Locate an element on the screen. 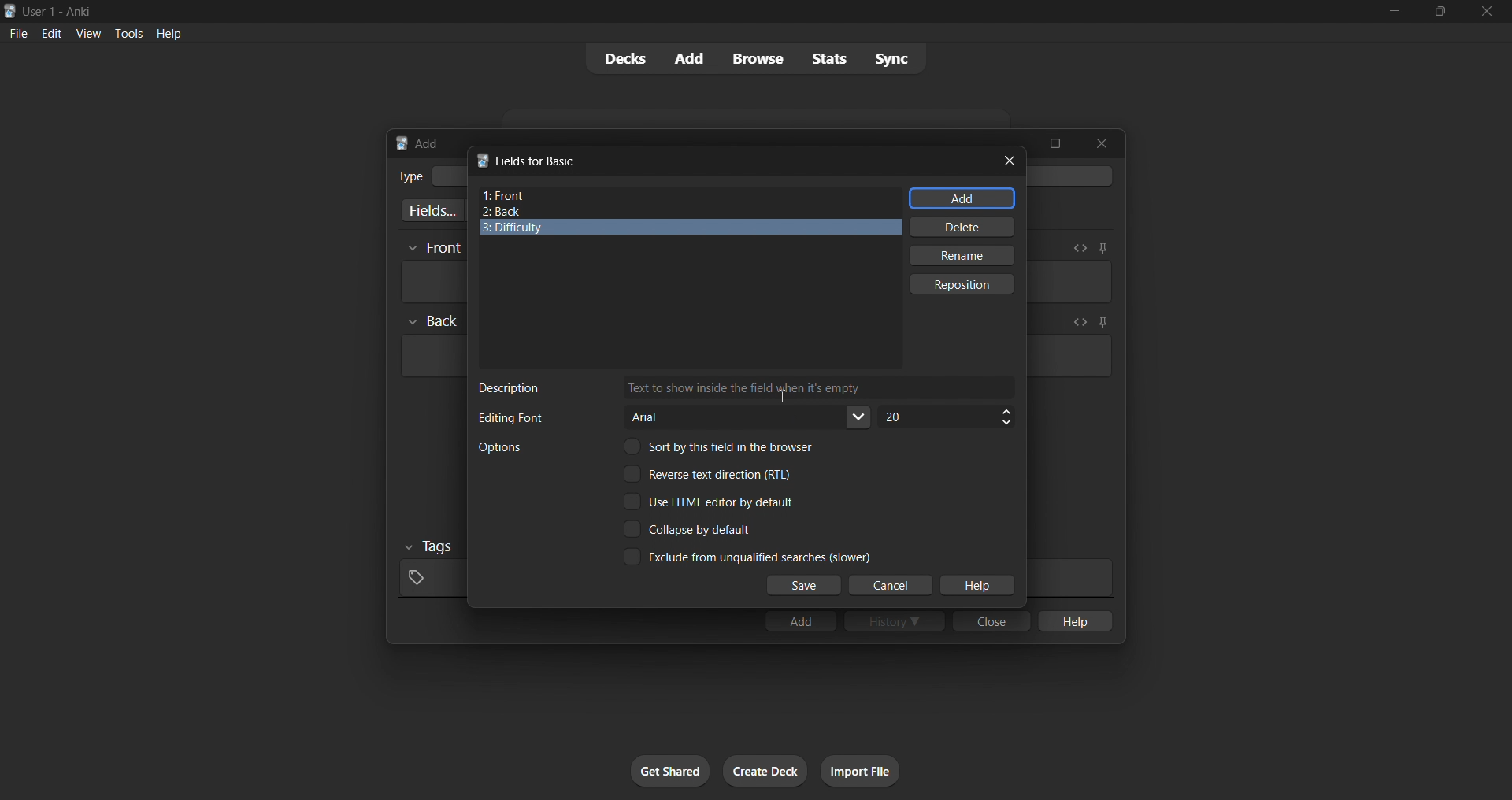 This screenshot has height=800, width=1512. Anki logo is located at coordinates (402, 143).